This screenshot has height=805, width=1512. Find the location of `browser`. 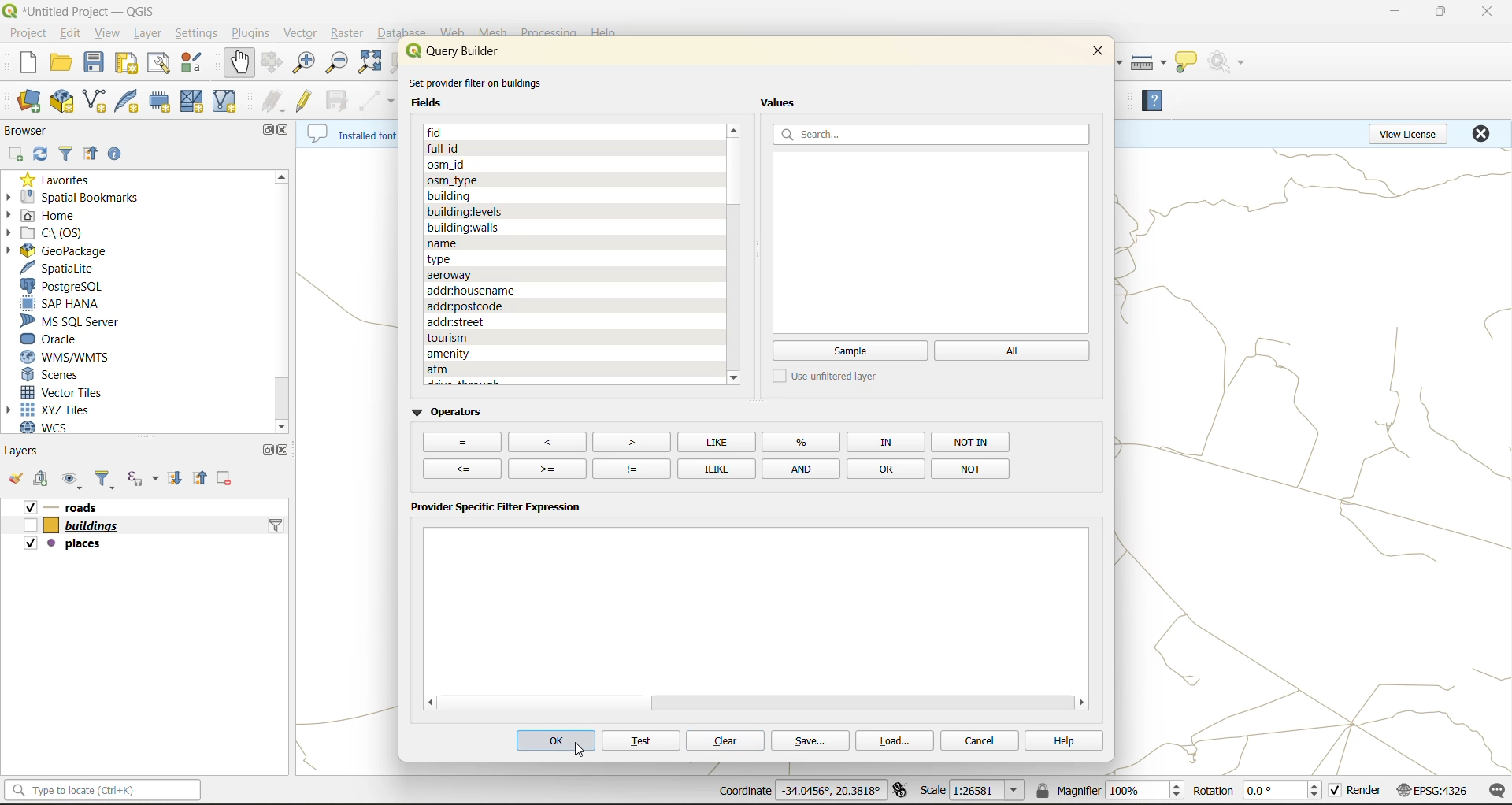

browser is located at coordinates (24, 128).